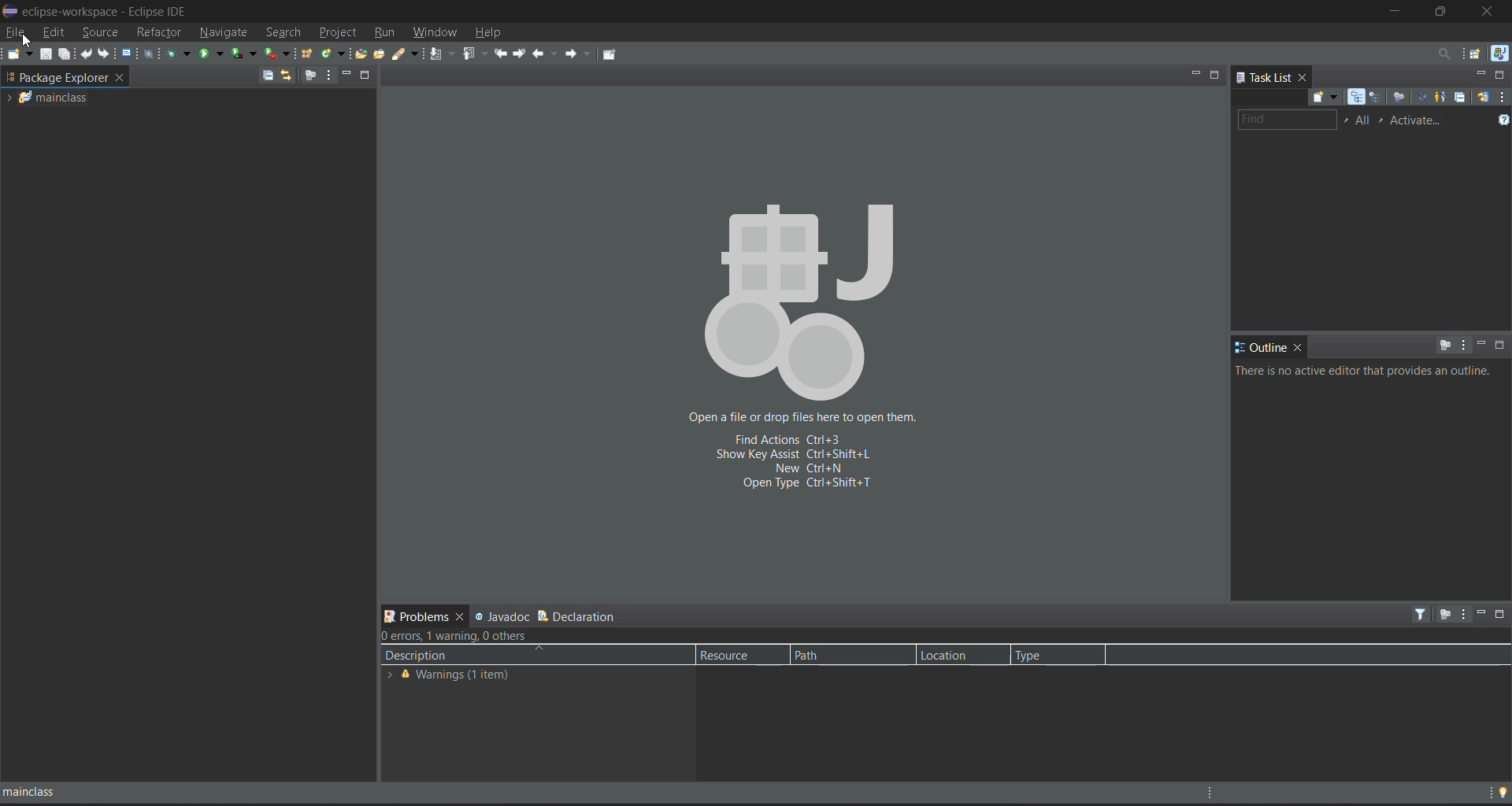 This screenshot has height=806, width=1512. I want to click on close, so click(458, 618).